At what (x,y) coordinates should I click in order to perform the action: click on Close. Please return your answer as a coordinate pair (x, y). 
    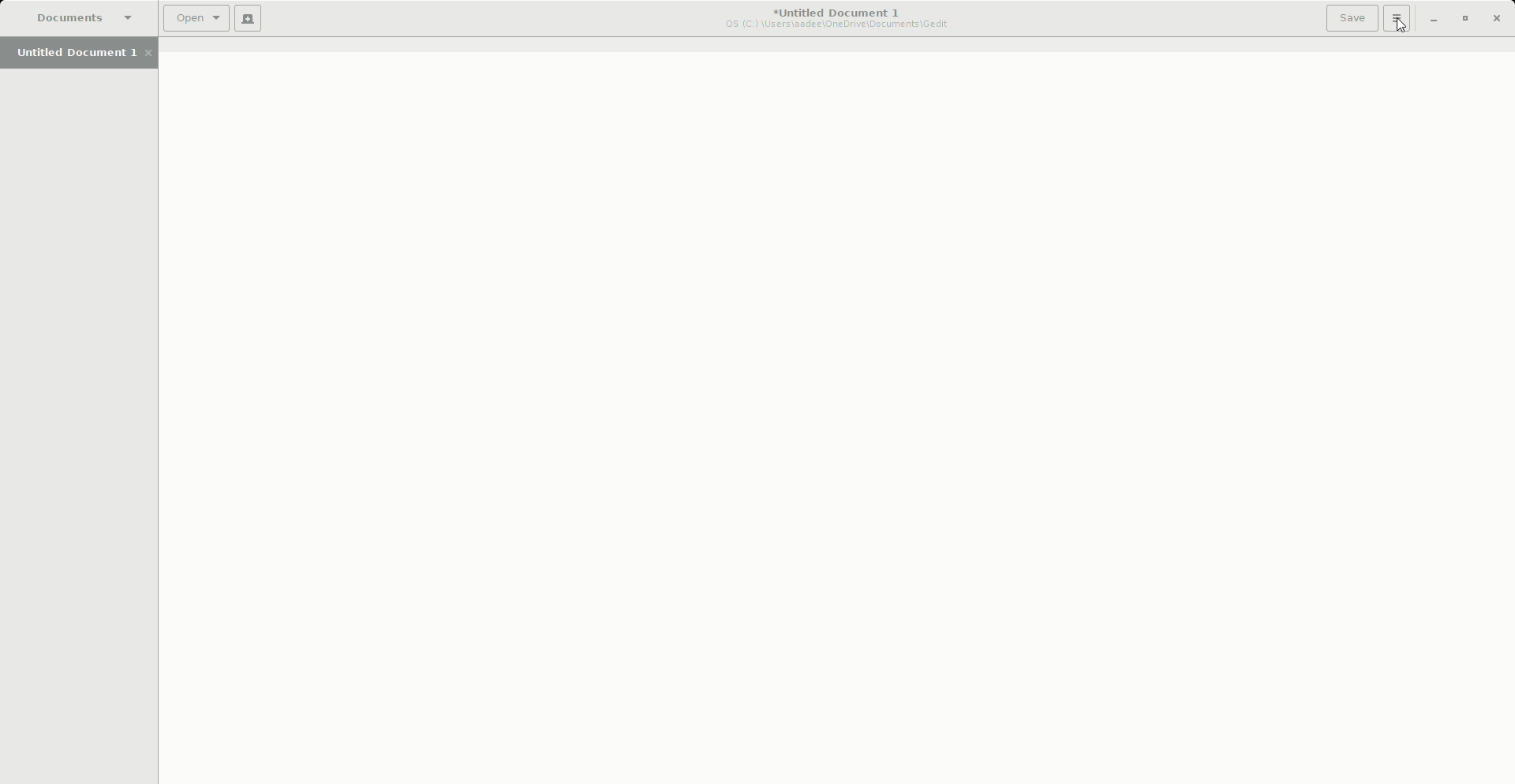
    Looking at the image, I should click on (1499, 17).